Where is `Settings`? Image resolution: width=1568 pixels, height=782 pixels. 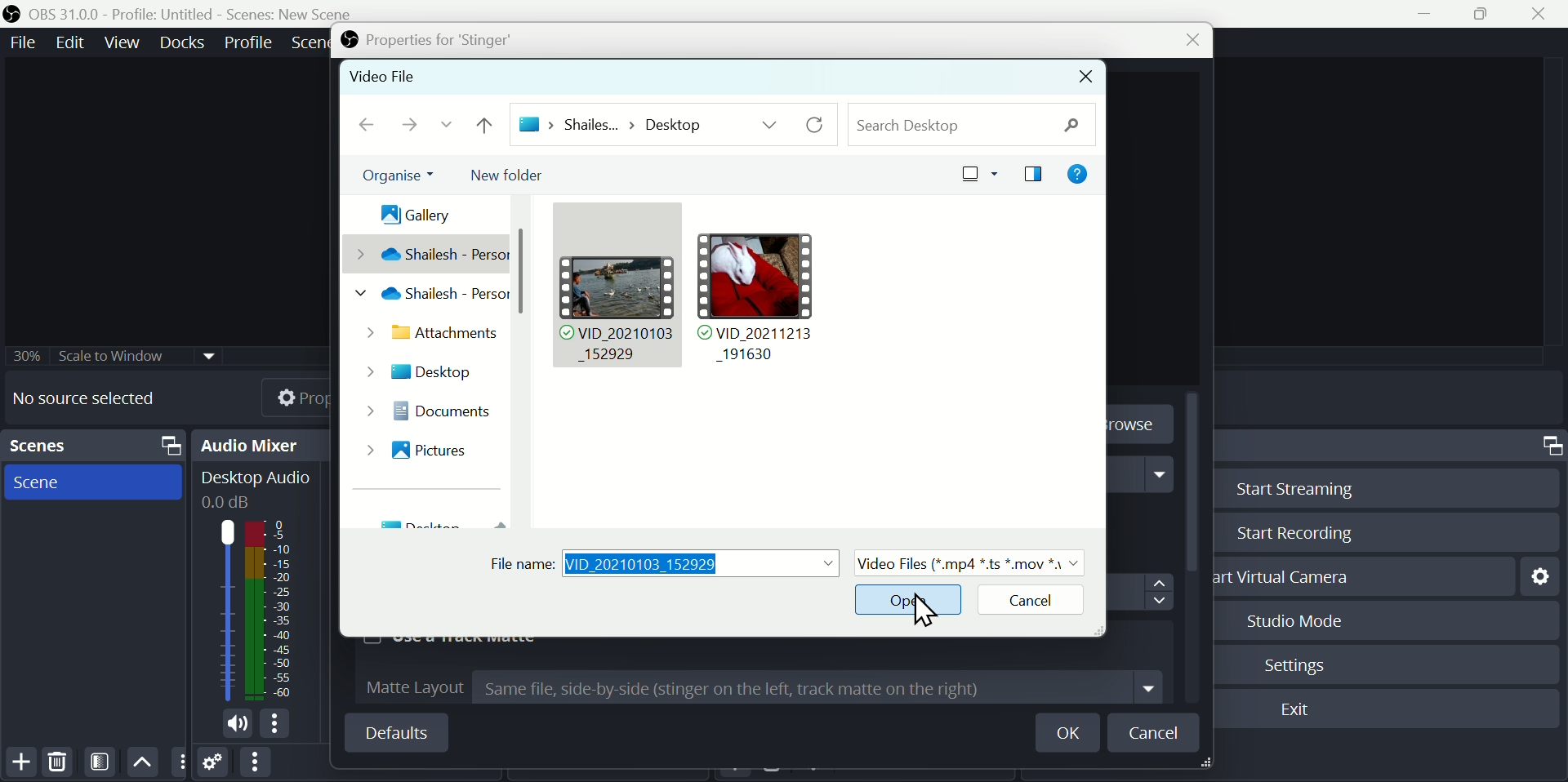 Settings is located at coordinates (1301, 663).